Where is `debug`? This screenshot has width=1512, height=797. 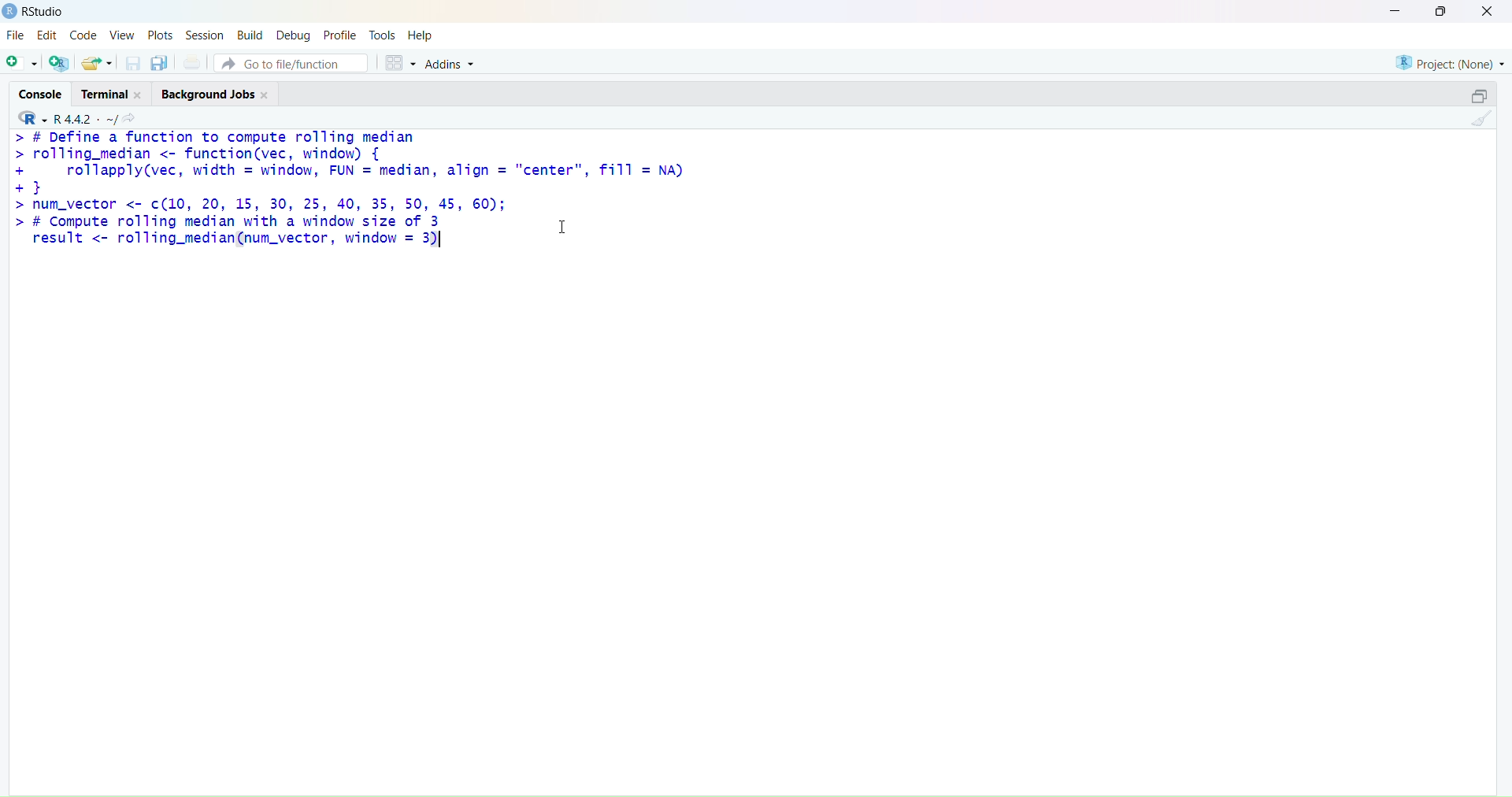
debug is located at coordinates (292, 37).